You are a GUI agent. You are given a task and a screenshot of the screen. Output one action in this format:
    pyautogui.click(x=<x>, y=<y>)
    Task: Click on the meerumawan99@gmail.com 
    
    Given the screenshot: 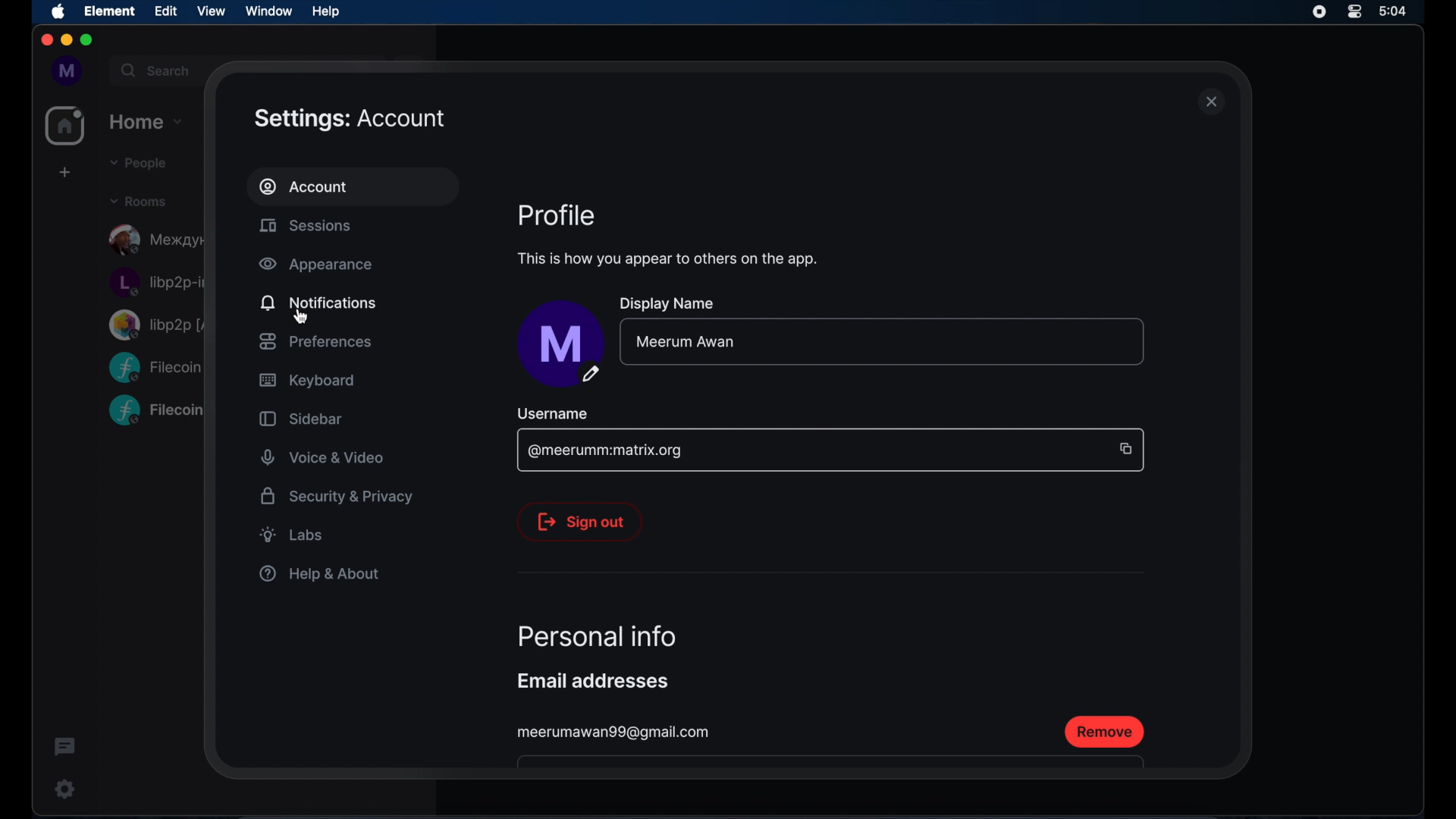 What is the action you would take?
    pyautogui.click(x=615, y=733)
    